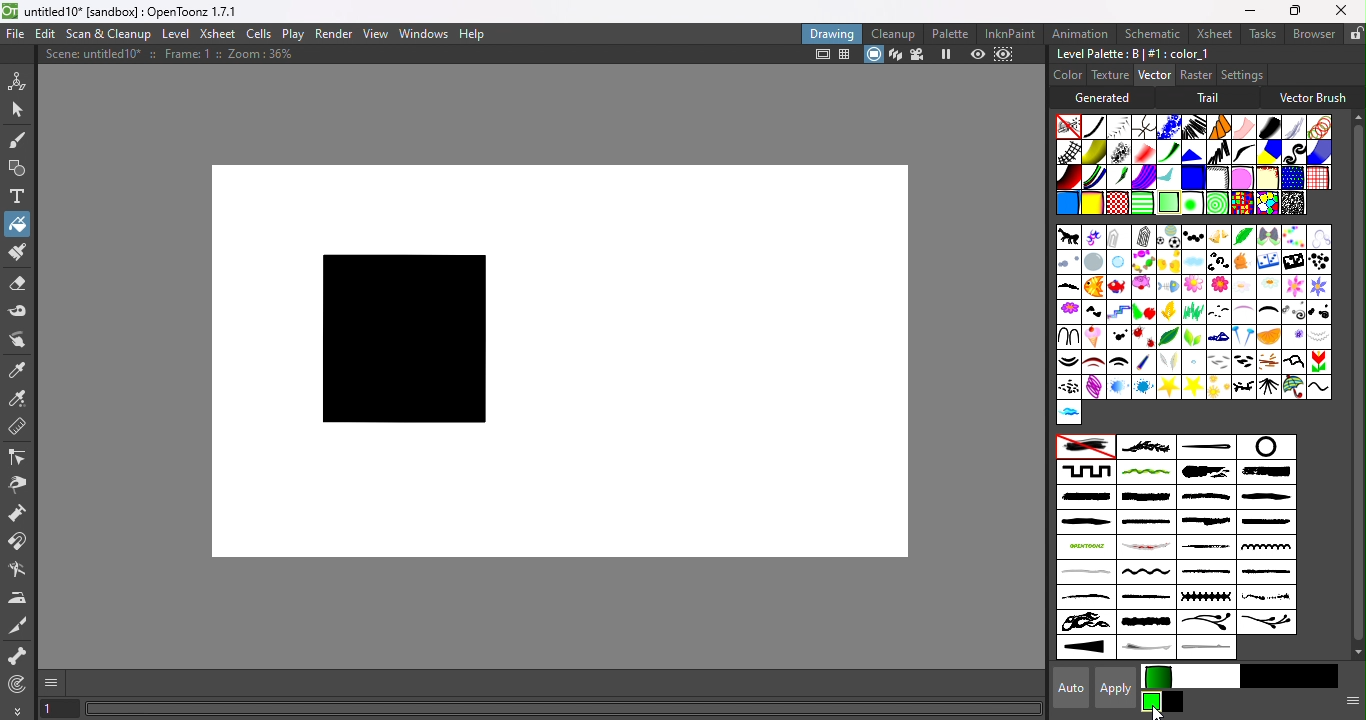 The height and width of the screenshot is (720, 1366). Describe the element at coordinates (1095, 178) in the screenshot. I see `Plait` at that location.